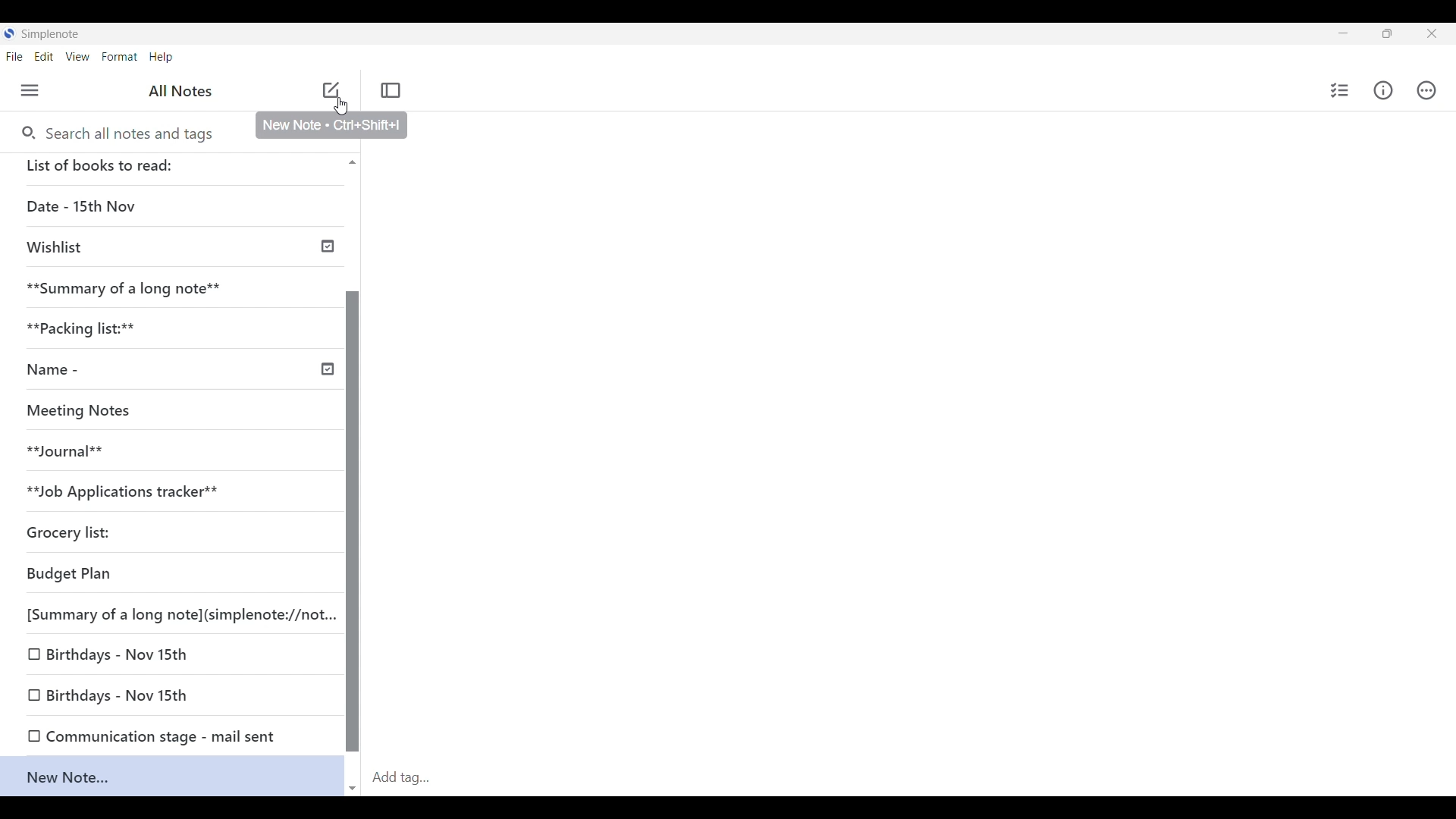  Describe the element at coordinates (177, 208) in the screenshot. I see `Date - 15th Nov` at that location.